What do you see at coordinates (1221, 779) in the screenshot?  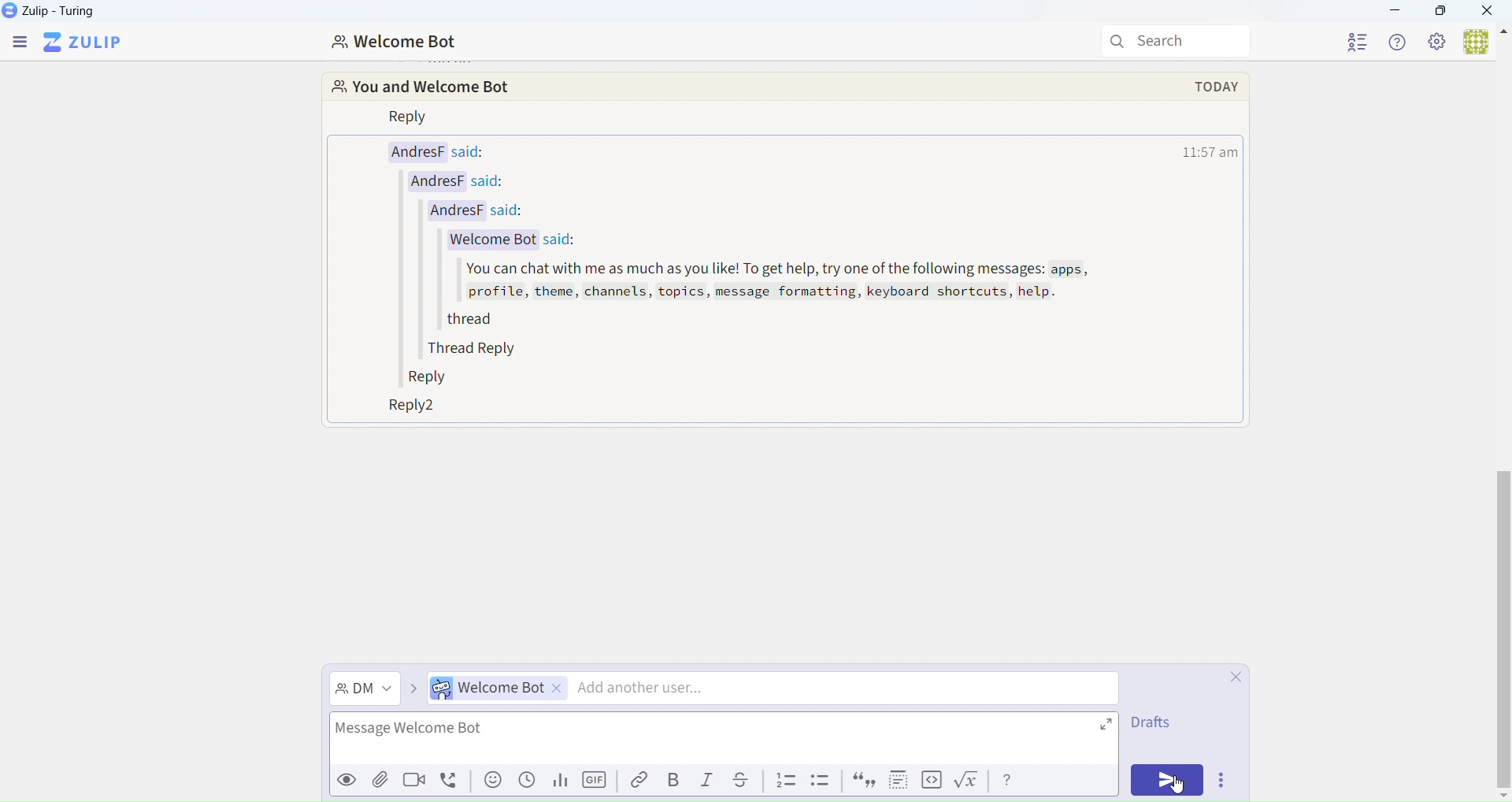 I see `Options` at bounding box center [1221, 779].